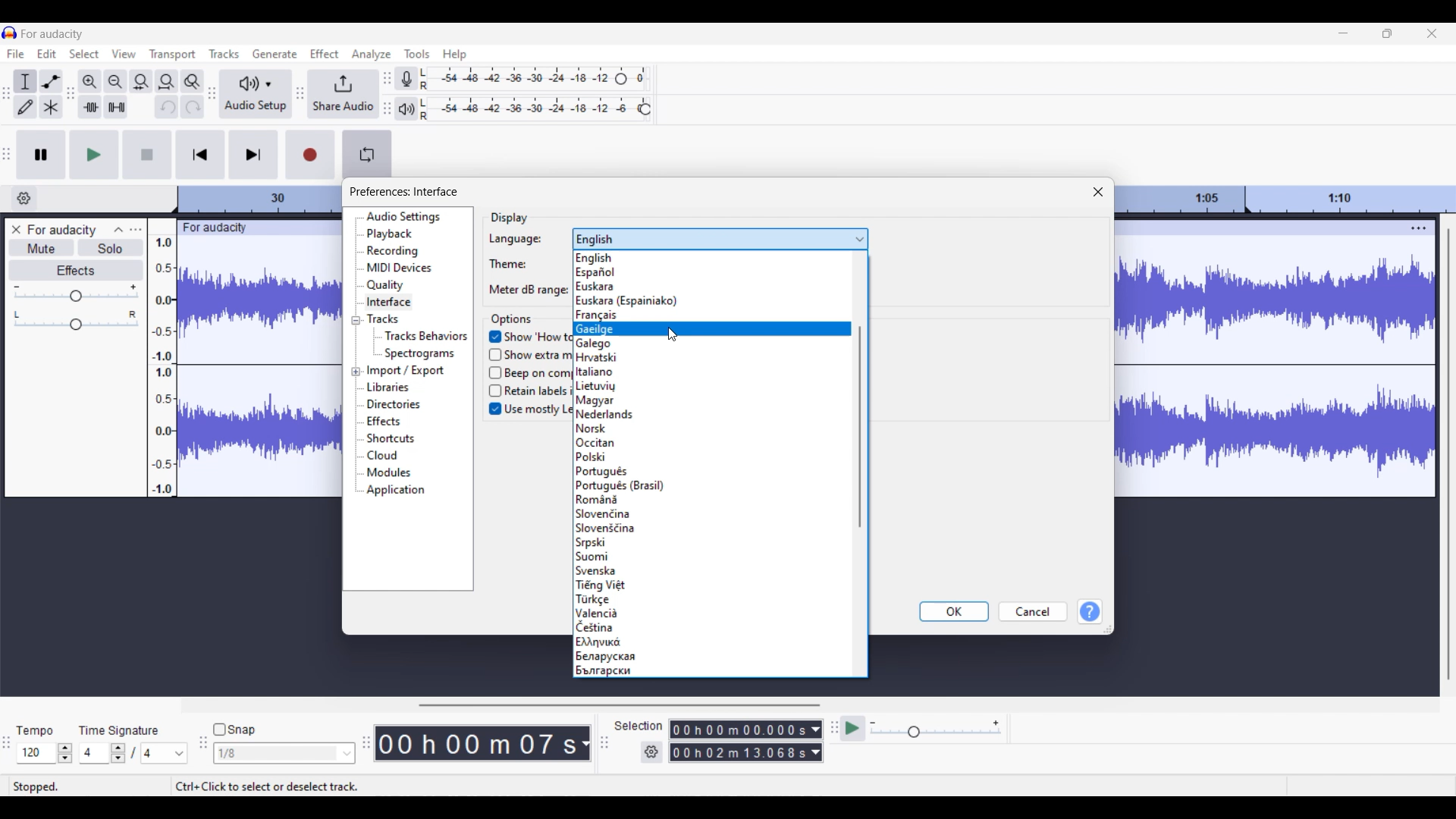  Describe the element at coordinates (606, 413) in the screenshot. I see `Nederlands` at that location.